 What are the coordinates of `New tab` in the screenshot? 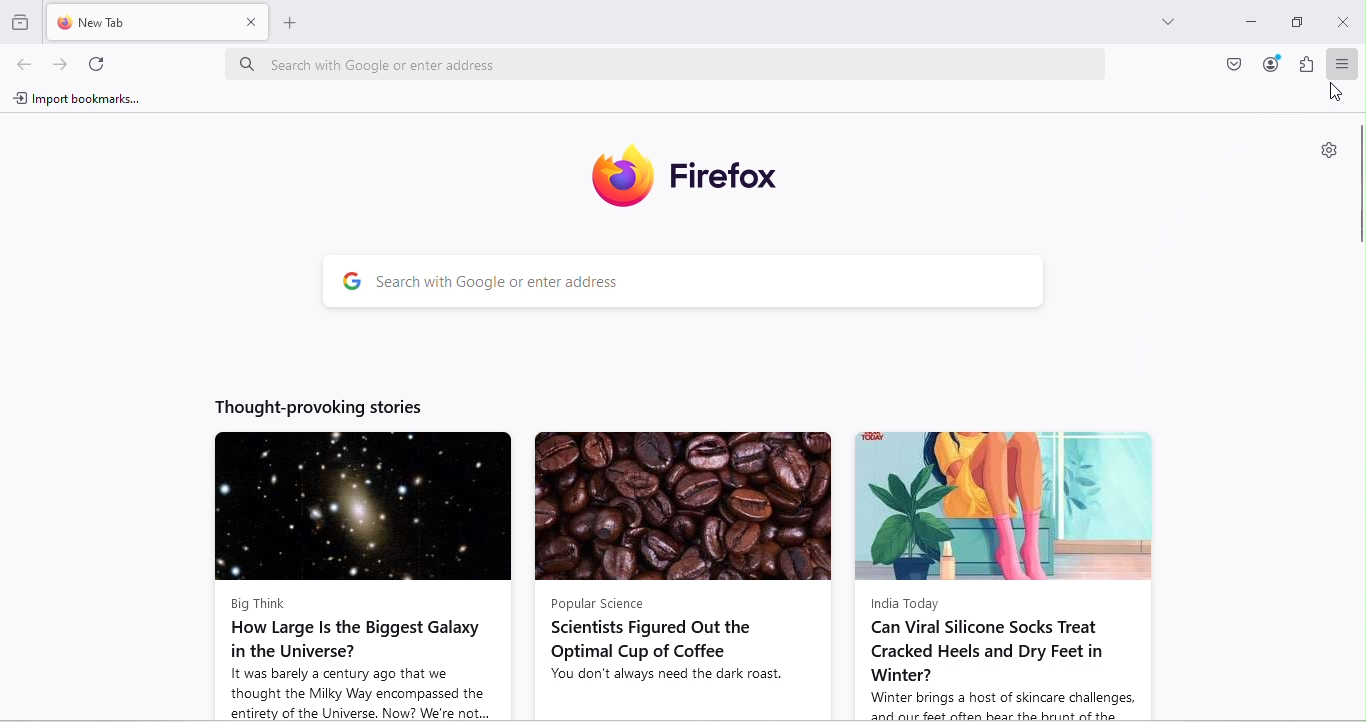 It's located at (137, 22).